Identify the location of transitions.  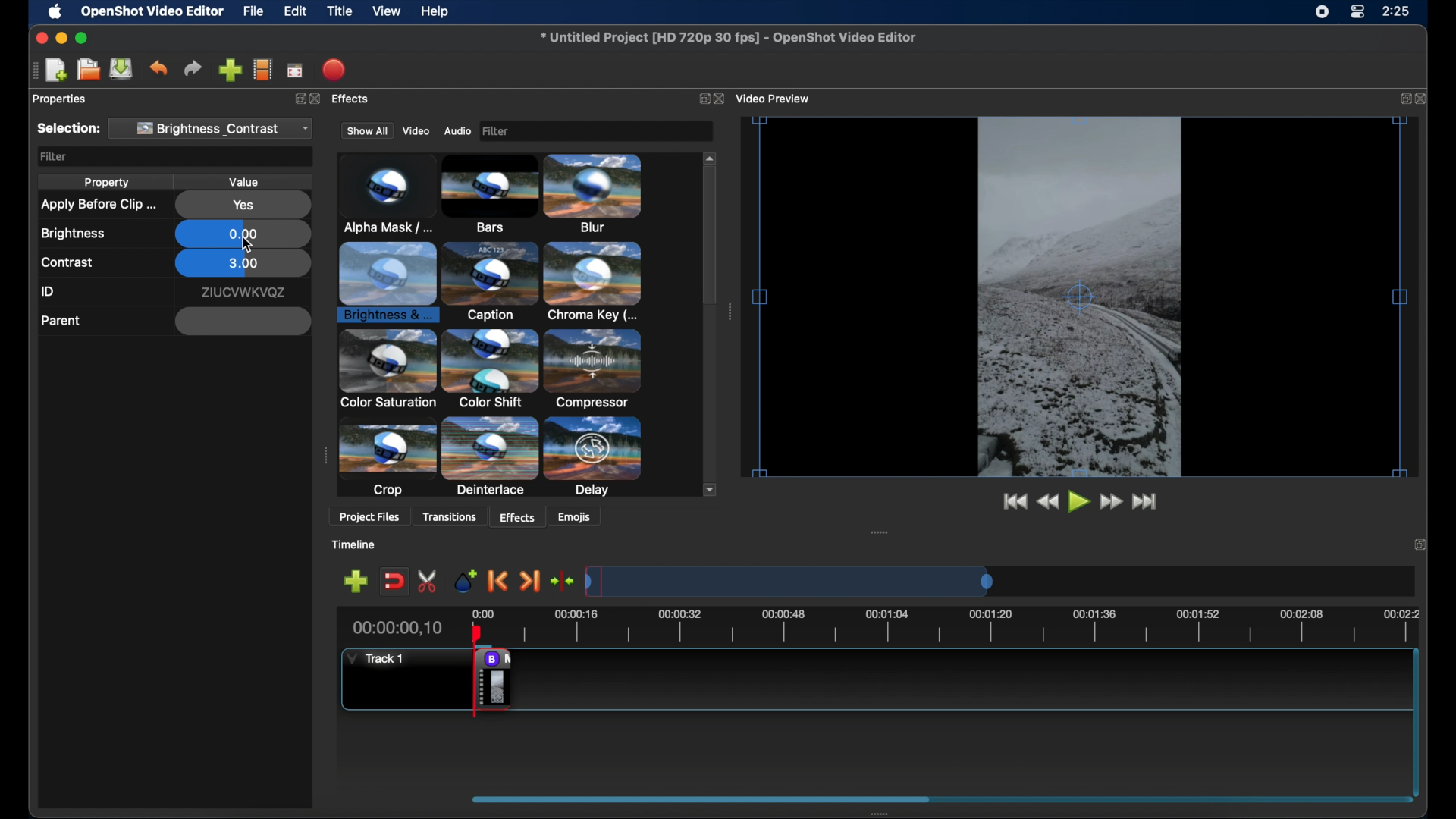
(454, 516).